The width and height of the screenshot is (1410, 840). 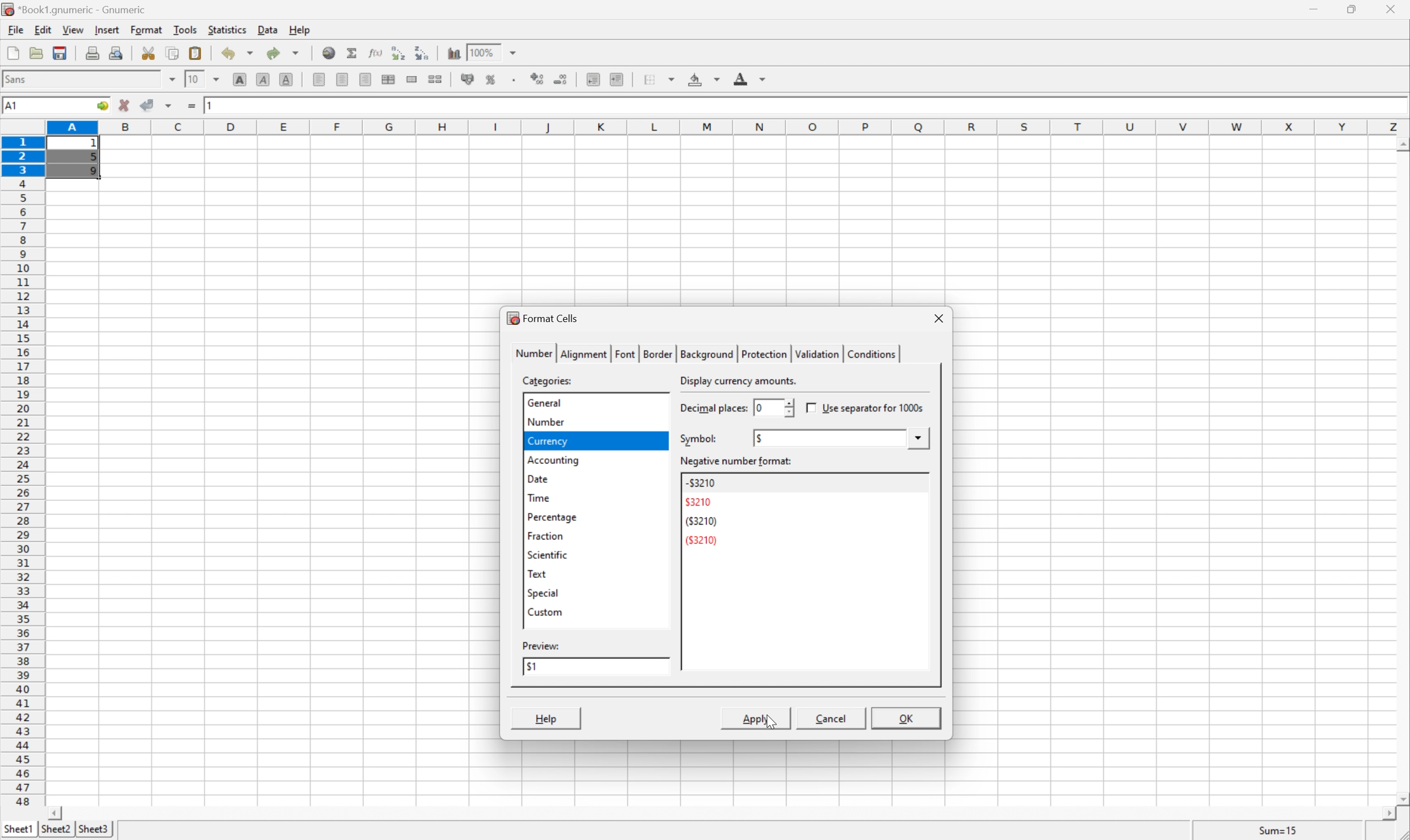 What do you see at coordinates (193, 78) in the screenshot?
I see `10` at bounding box center [193, 78].